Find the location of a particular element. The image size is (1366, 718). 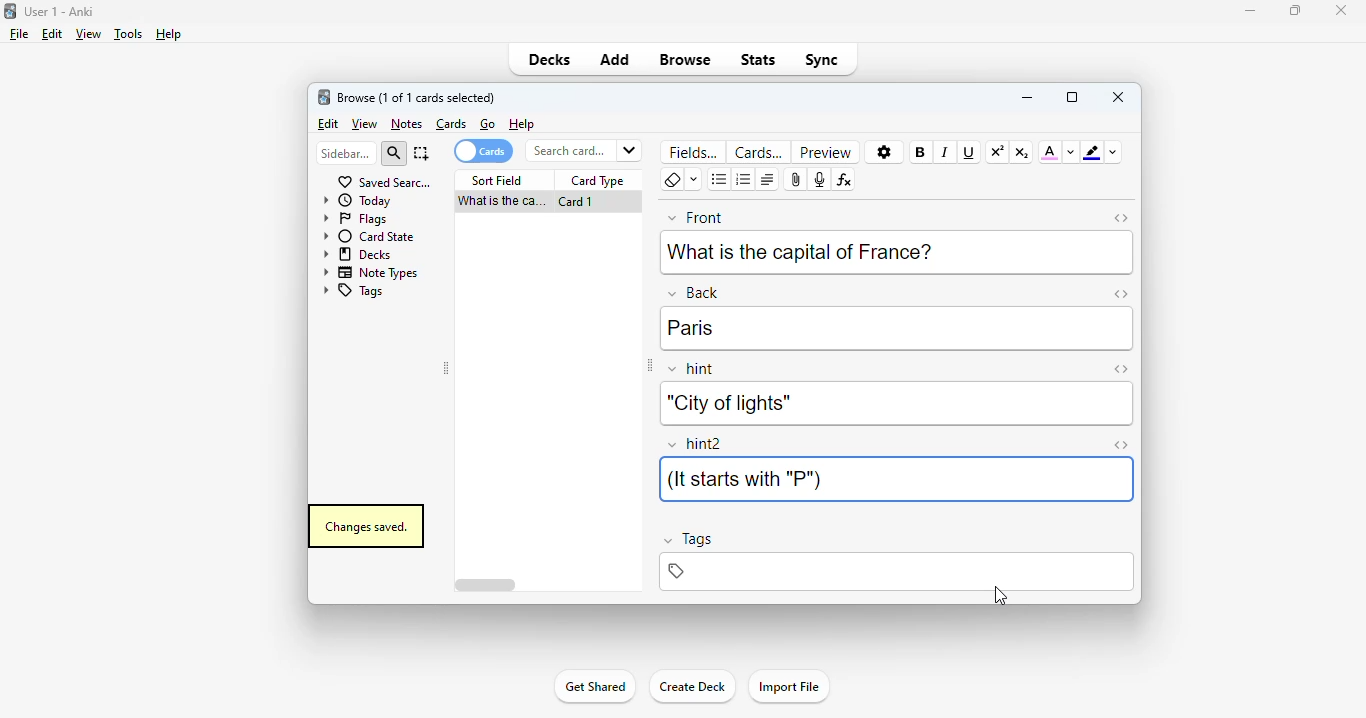

title is located at coordinates (60, 11).